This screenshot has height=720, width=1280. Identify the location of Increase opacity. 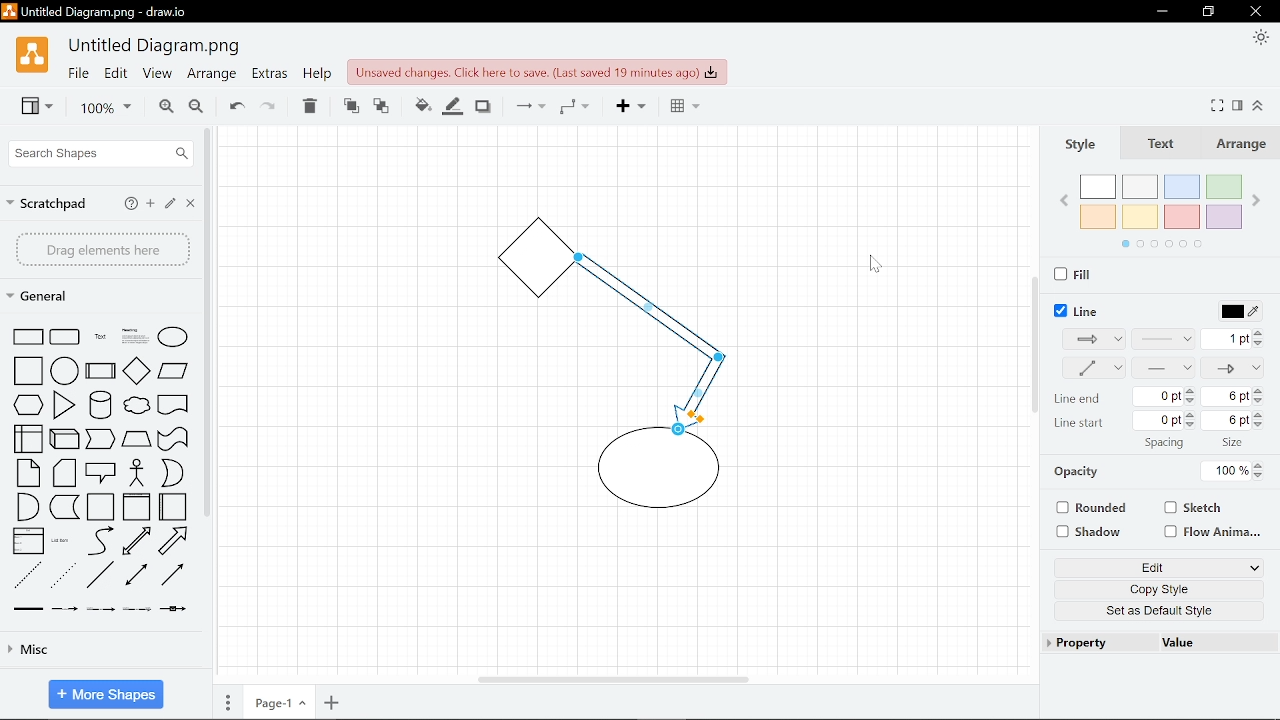
(1260, 464).